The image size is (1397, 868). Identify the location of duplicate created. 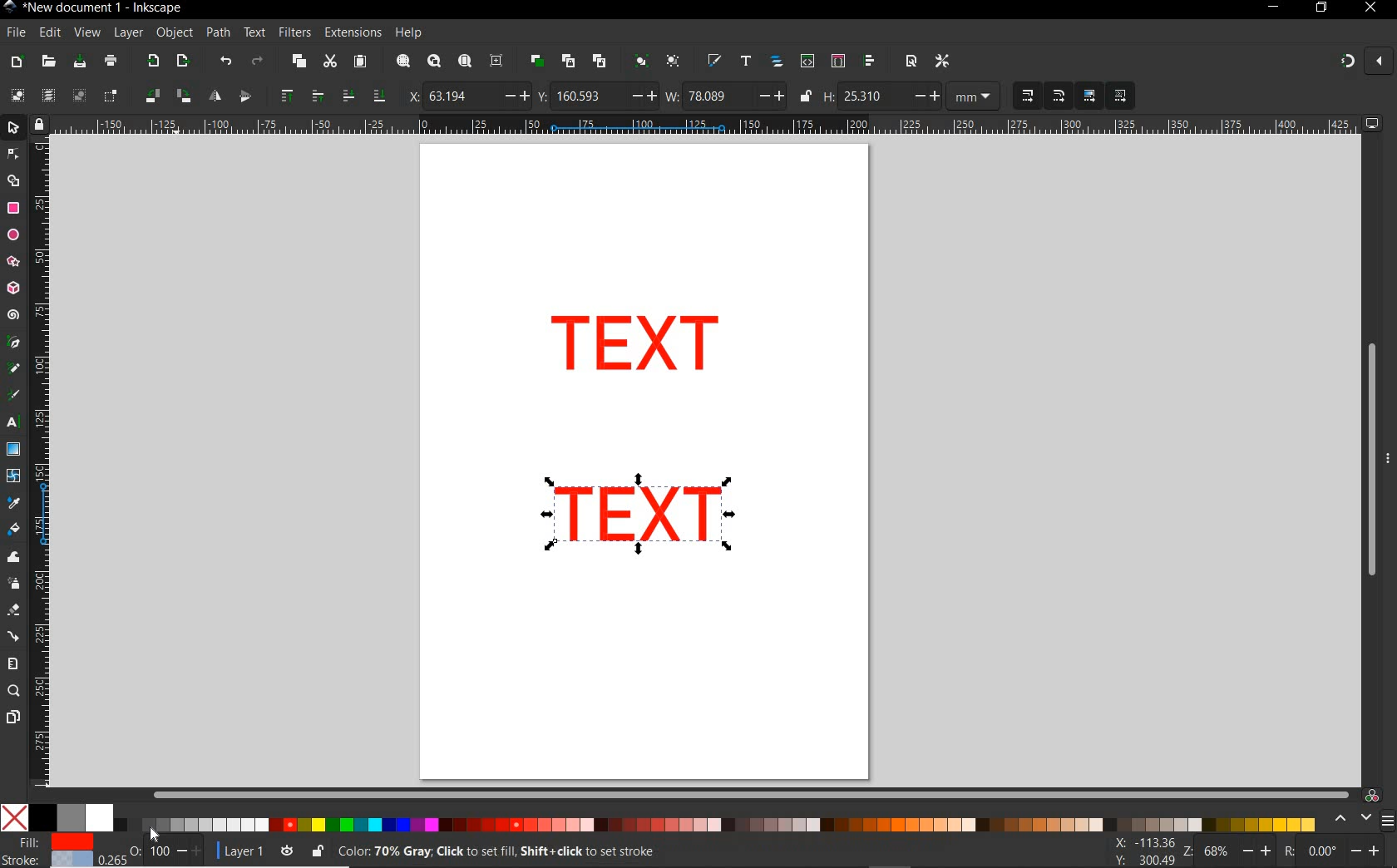
(636, 348).